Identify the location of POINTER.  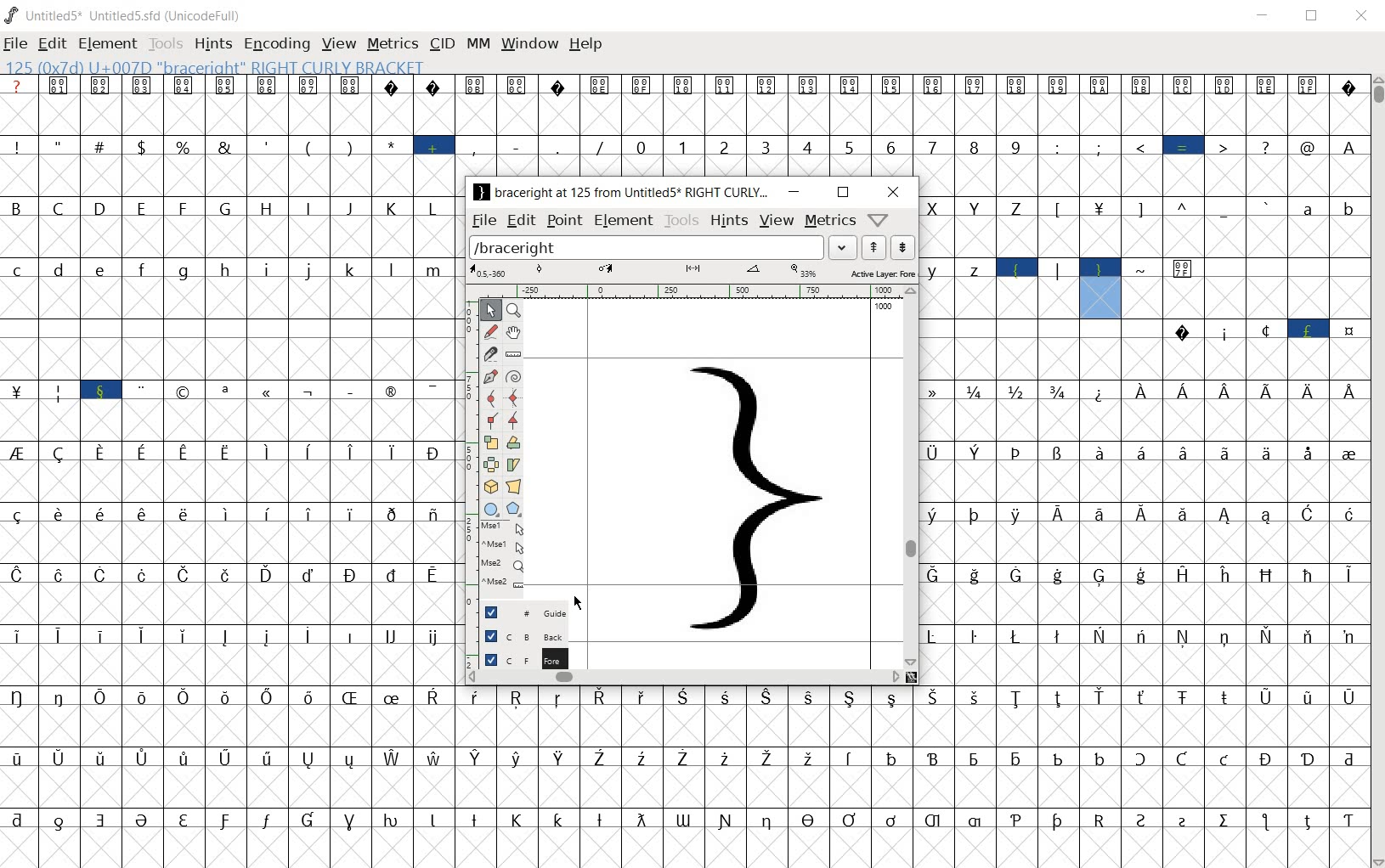
(491, 309).